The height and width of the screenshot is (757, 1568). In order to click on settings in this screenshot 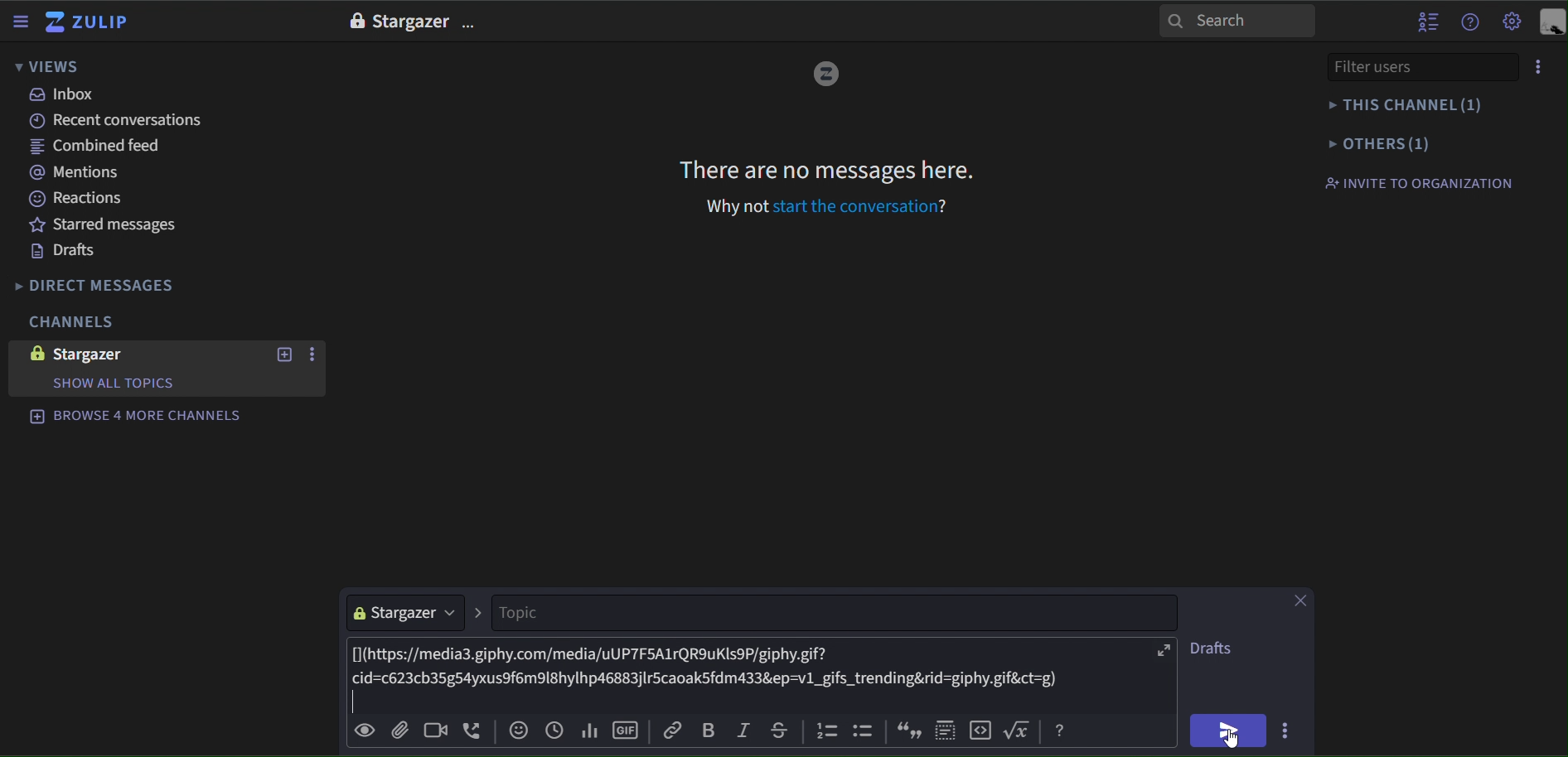, I will do `click(1512, 23)`.